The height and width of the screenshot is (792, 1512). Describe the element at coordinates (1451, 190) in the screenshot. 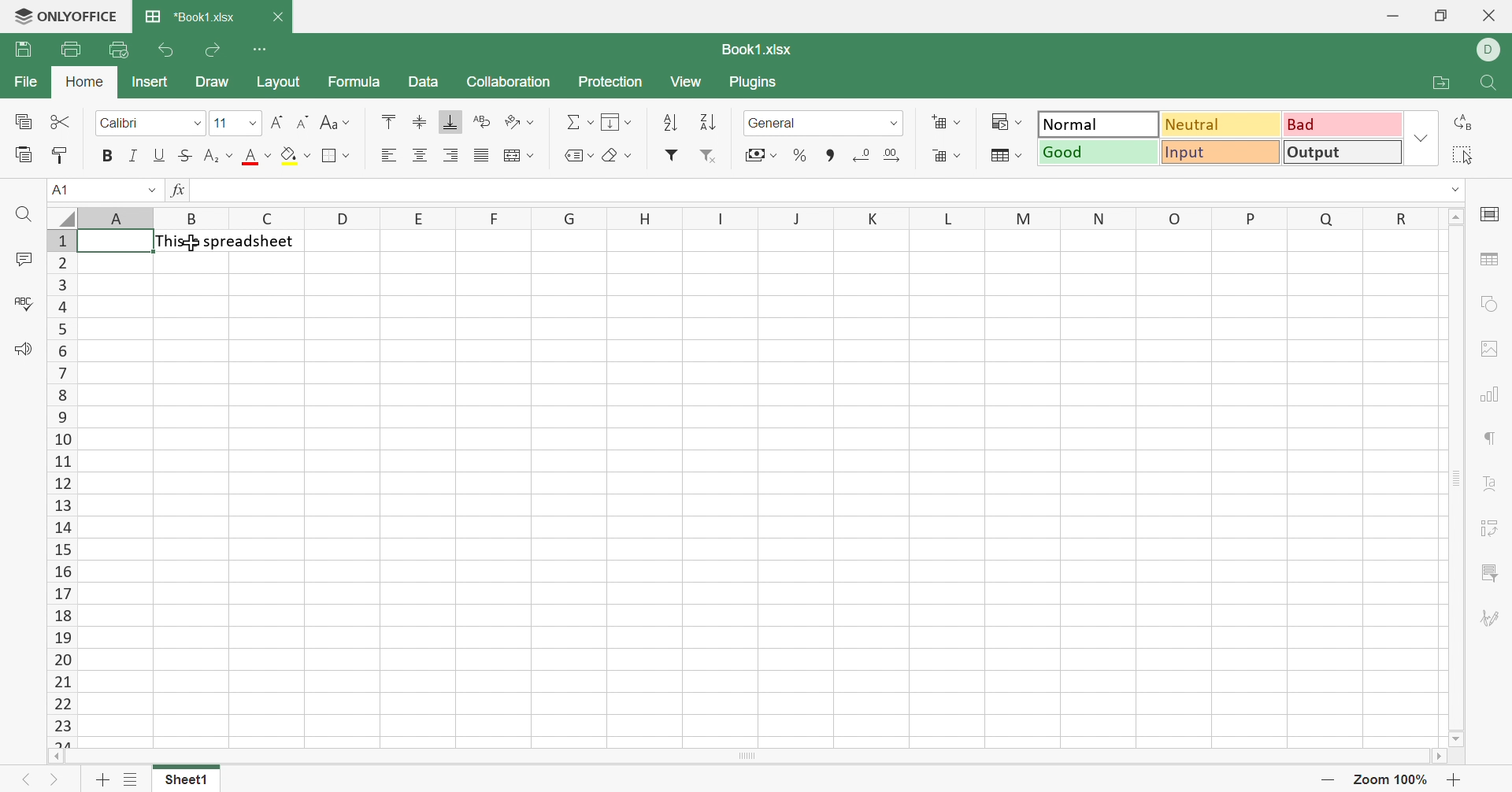

I see `Drop Down` at that location.